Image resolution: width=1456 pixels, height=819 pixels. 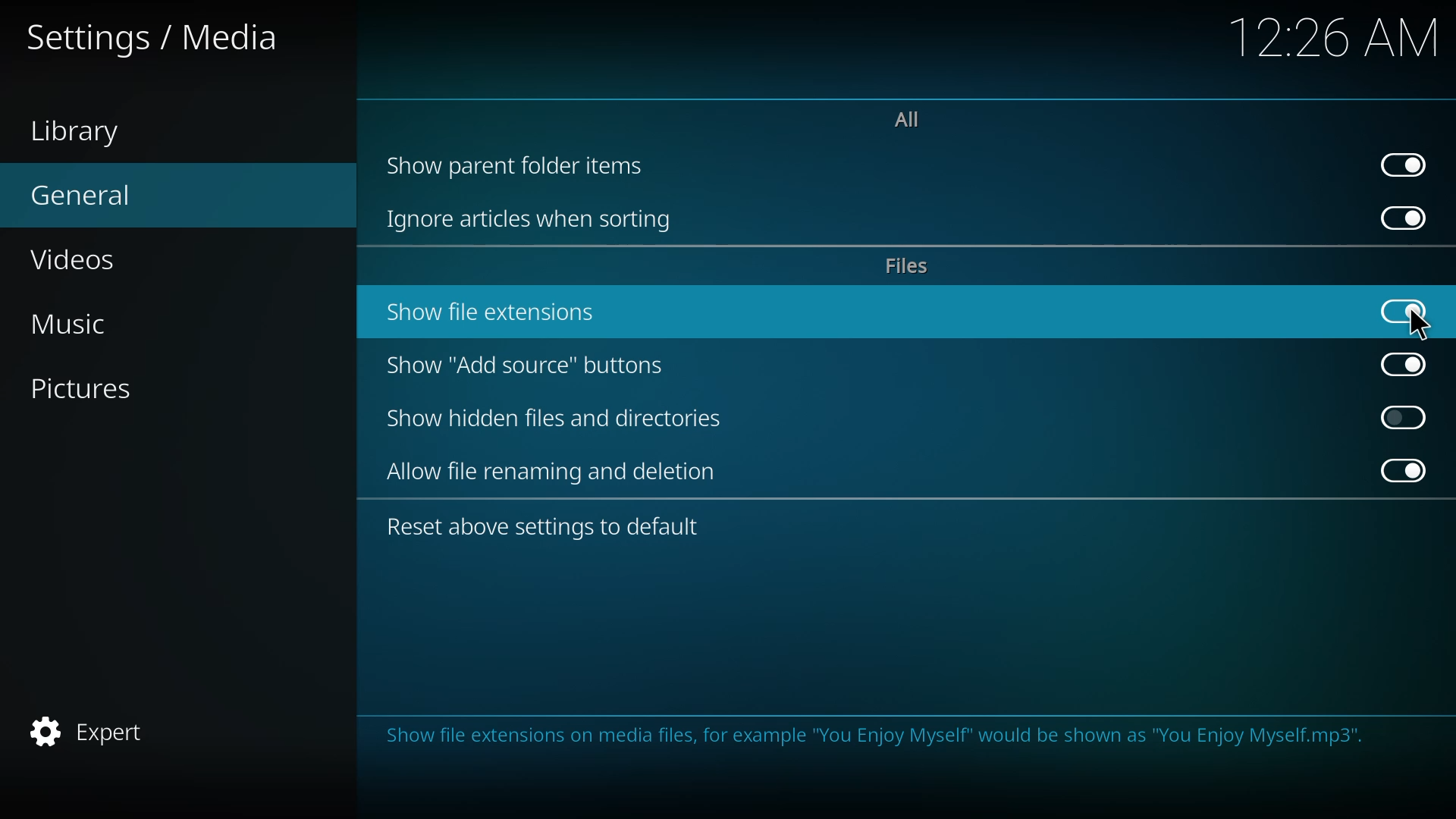 I want to click on files, so click(x=908, y=268).